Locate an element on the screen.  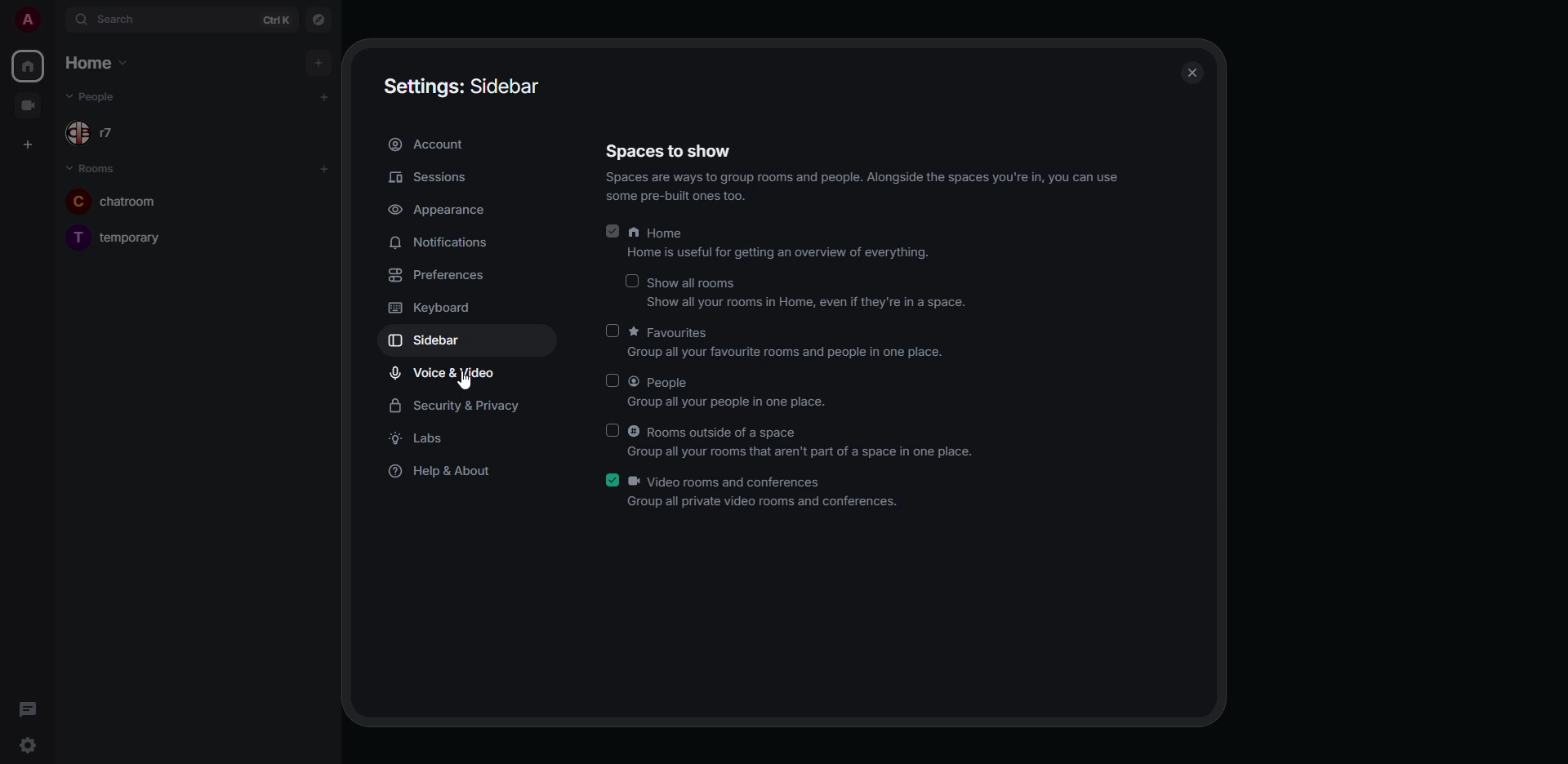
enabled is located at coordinates (608, 481).